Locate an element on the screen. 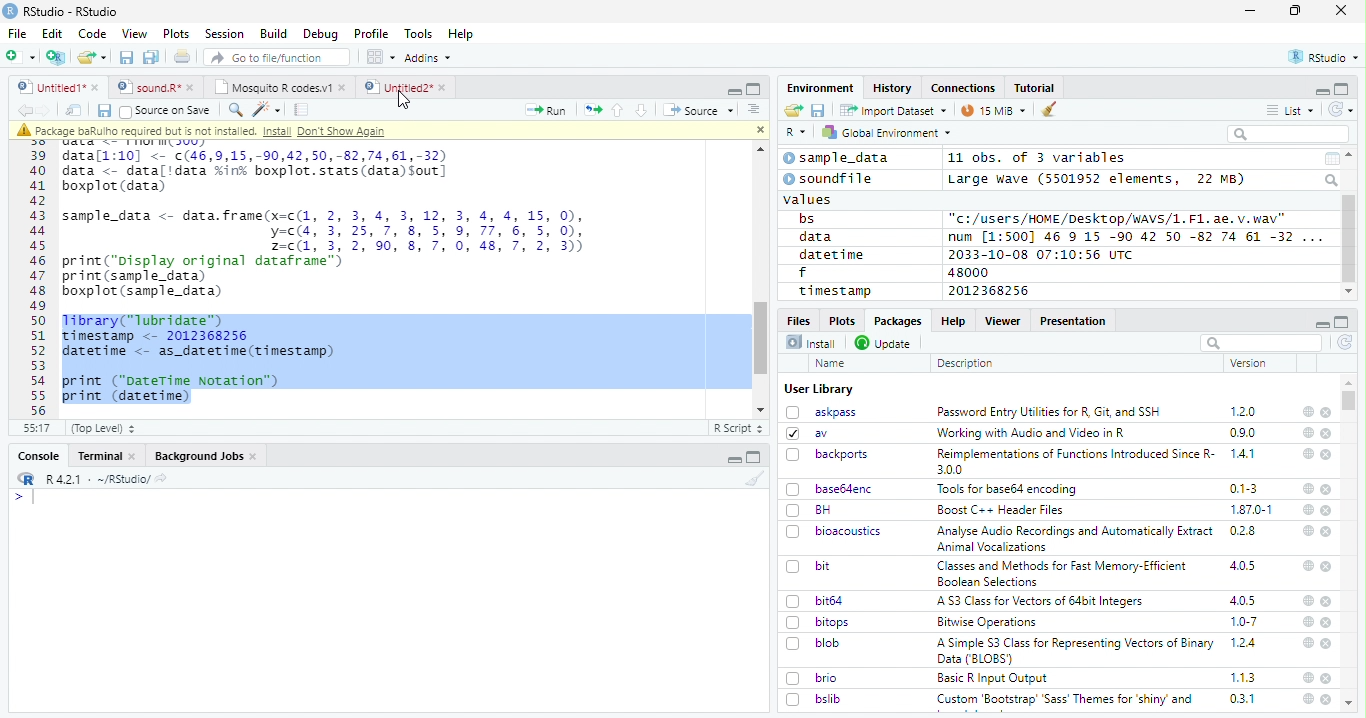 The width and height of the screenshot is (1366, 718). close is located at coordinates (1327, 623).